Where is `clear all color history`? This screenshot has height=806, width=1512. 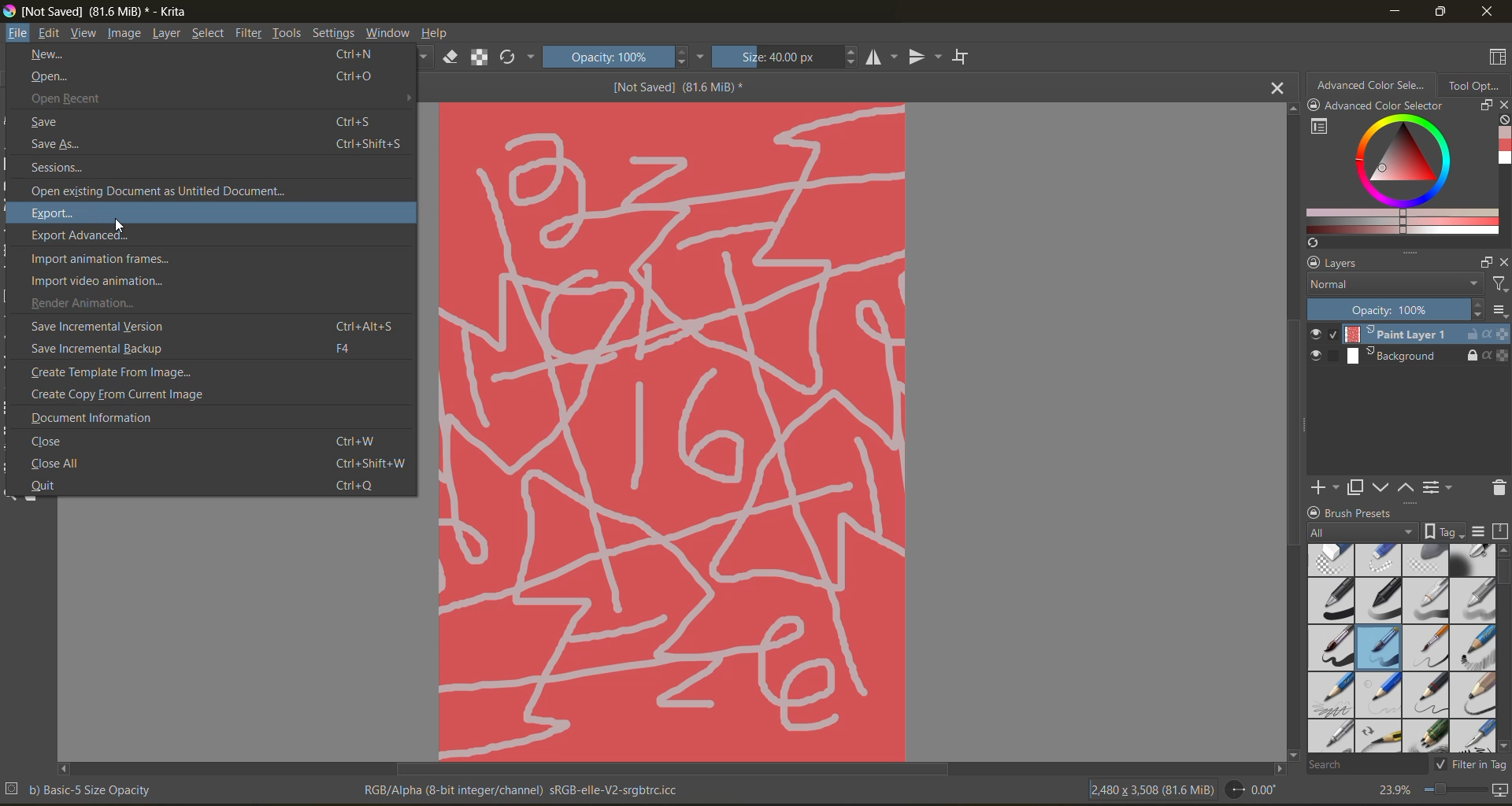 clear all color history is located at coordinates (1503, 121).